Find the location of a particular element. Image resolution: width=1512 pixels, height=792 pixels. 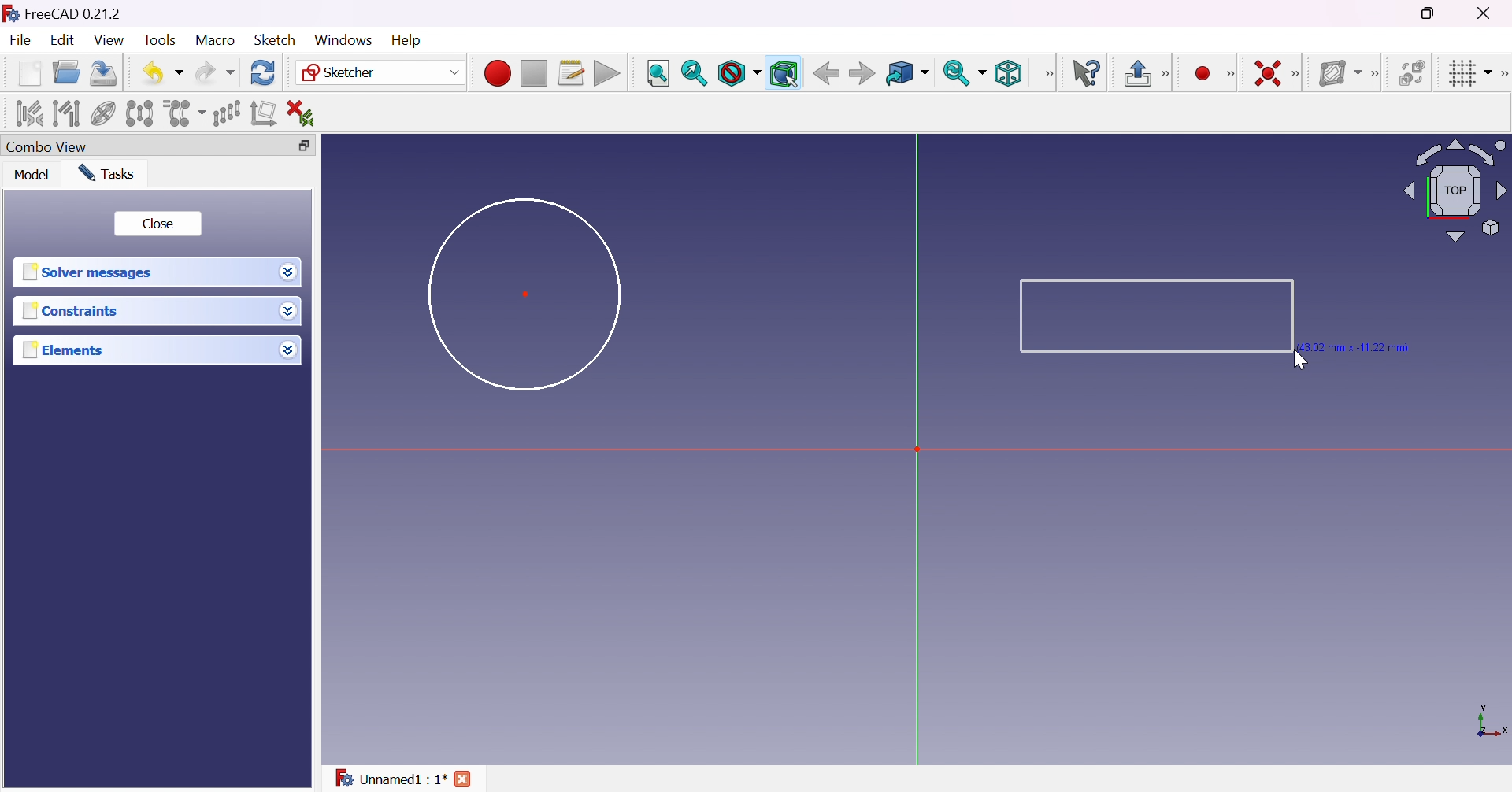

Select associated constraints is located at coordinates (27, 113).